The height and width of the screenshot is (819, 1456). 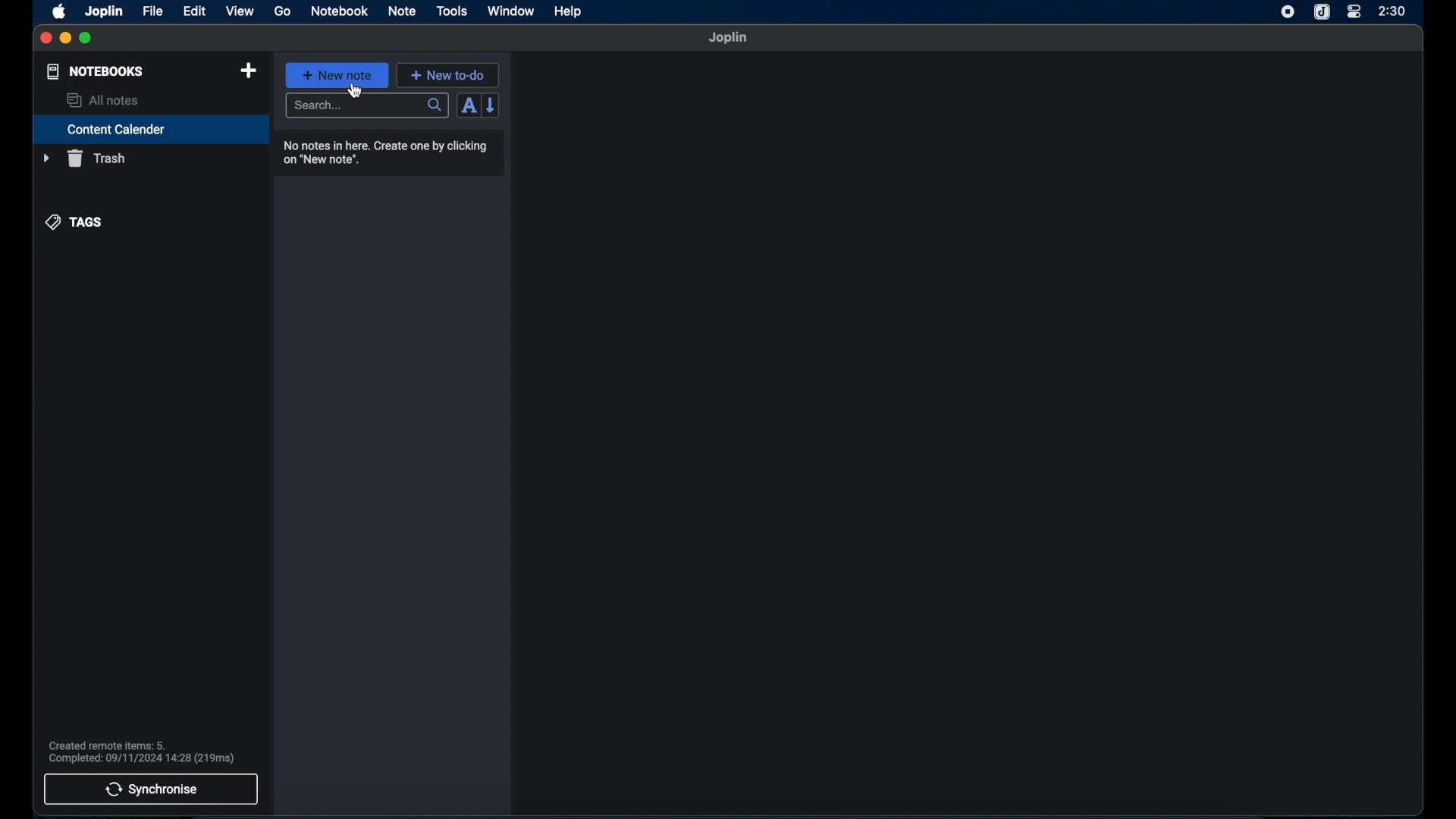 I want to click on toggle sort order field, so click(x=468, y=106).